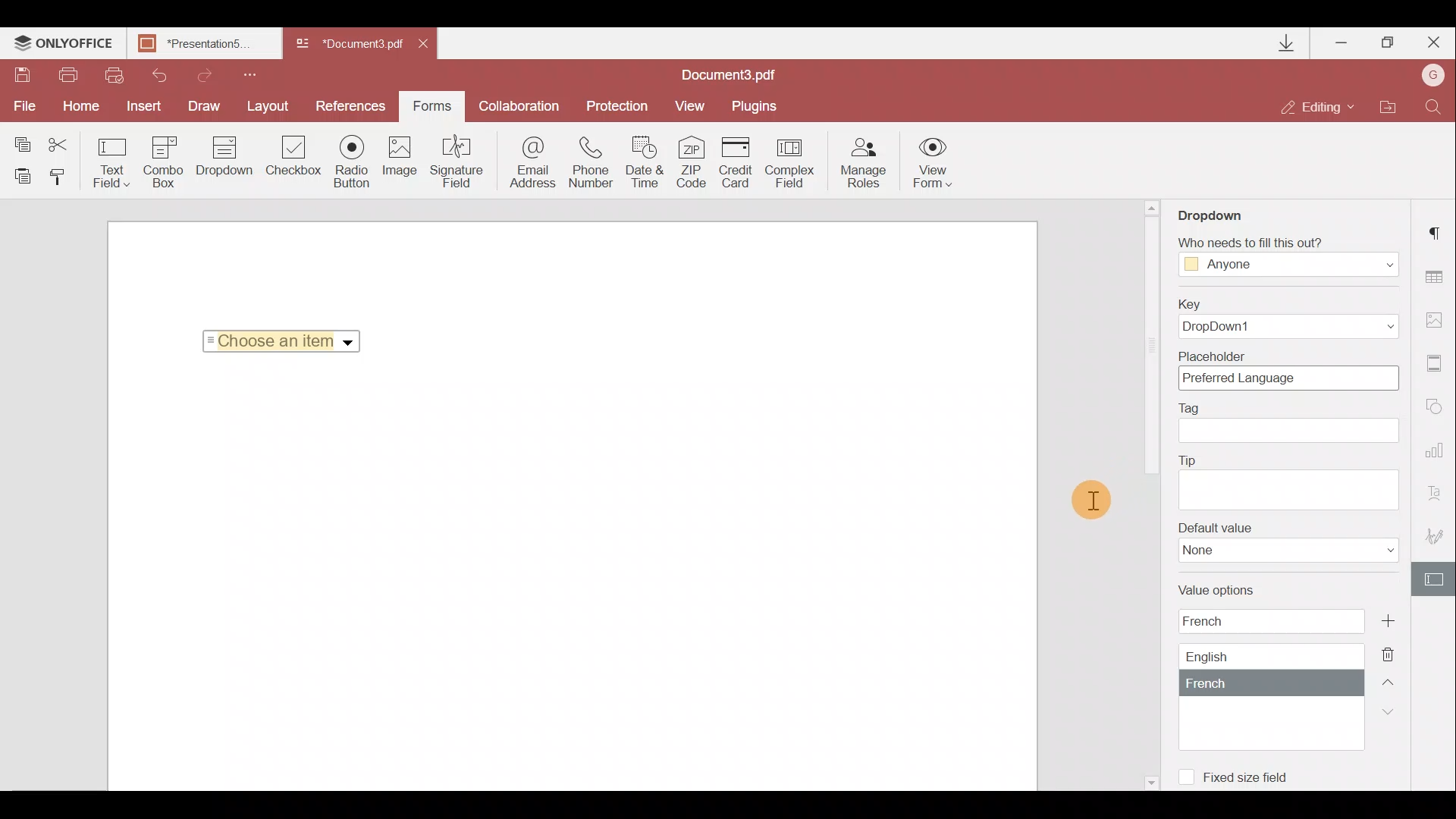  Describe the element at coordinates (1289, 422) in the screenshot. I see `Tag` at that location.